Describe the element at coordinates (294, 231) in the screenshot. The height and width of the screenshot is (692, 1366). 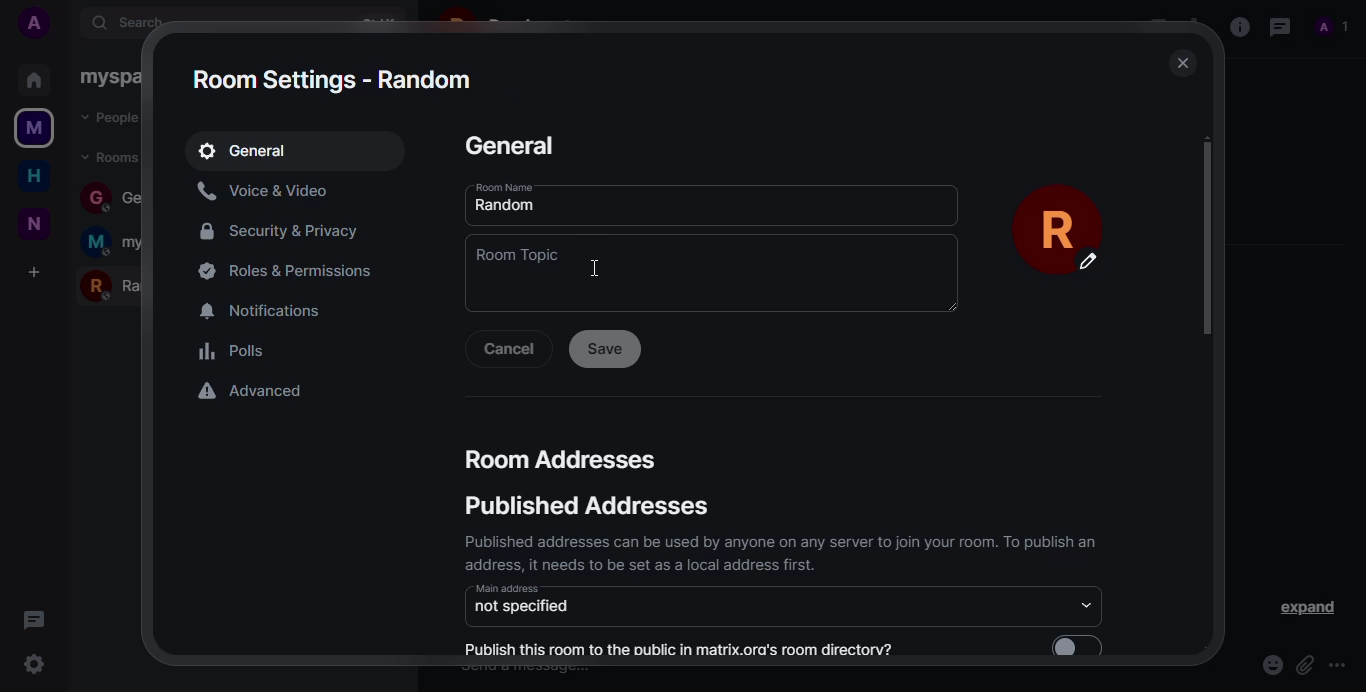
I see `security&privacy` at that location.